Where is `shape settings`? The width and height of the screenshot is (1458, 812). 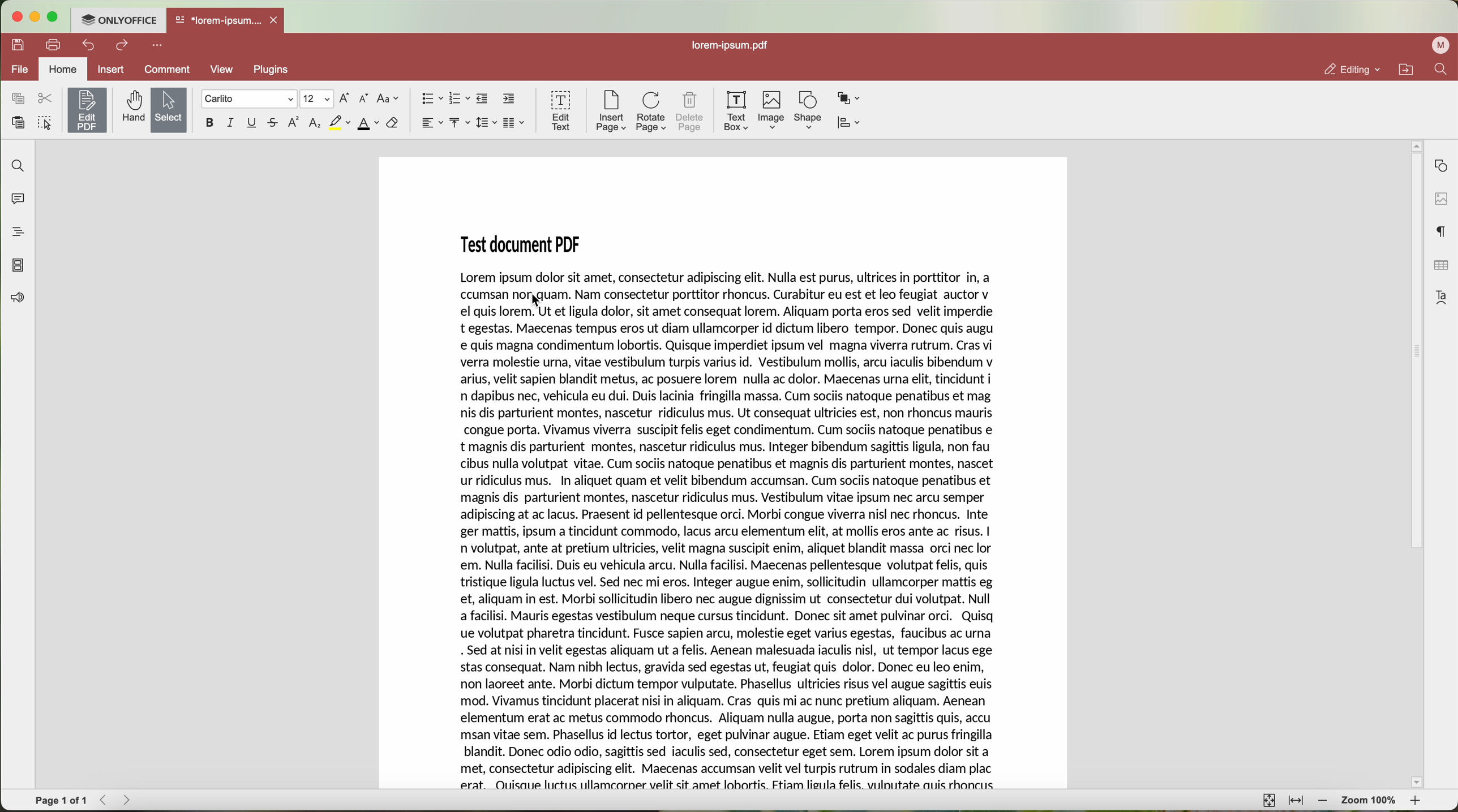 shape settings is located at coordinates (1440, 165).